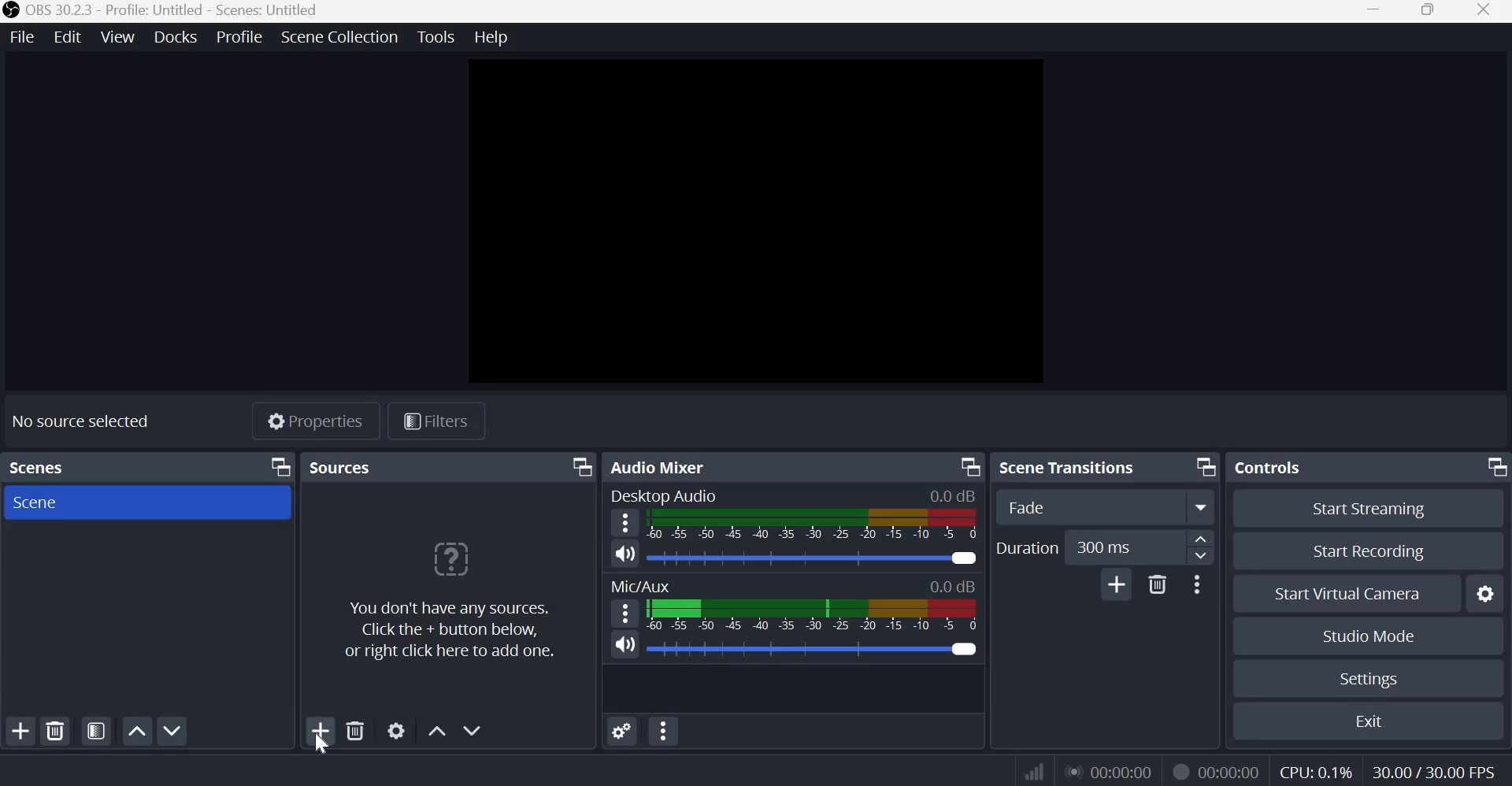 The height and width of the screenshot is (786, 1512). What do you see at coordinates (239, 37) in the screenshot?
I see `Profile` at bounding box center [239, 37].